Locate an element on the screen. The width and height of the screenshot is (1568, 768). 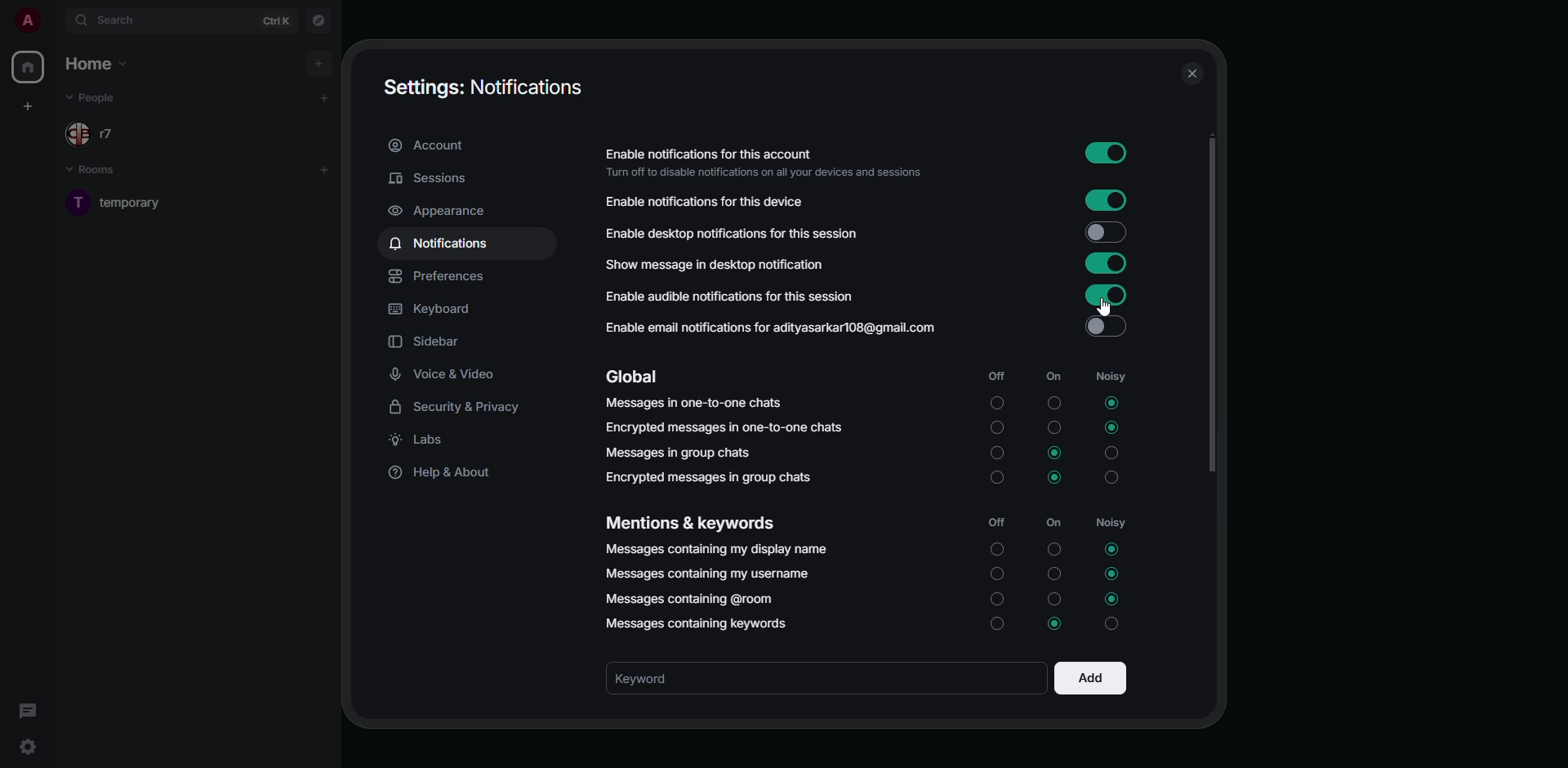
enable is located at coordinates (1106, 263).